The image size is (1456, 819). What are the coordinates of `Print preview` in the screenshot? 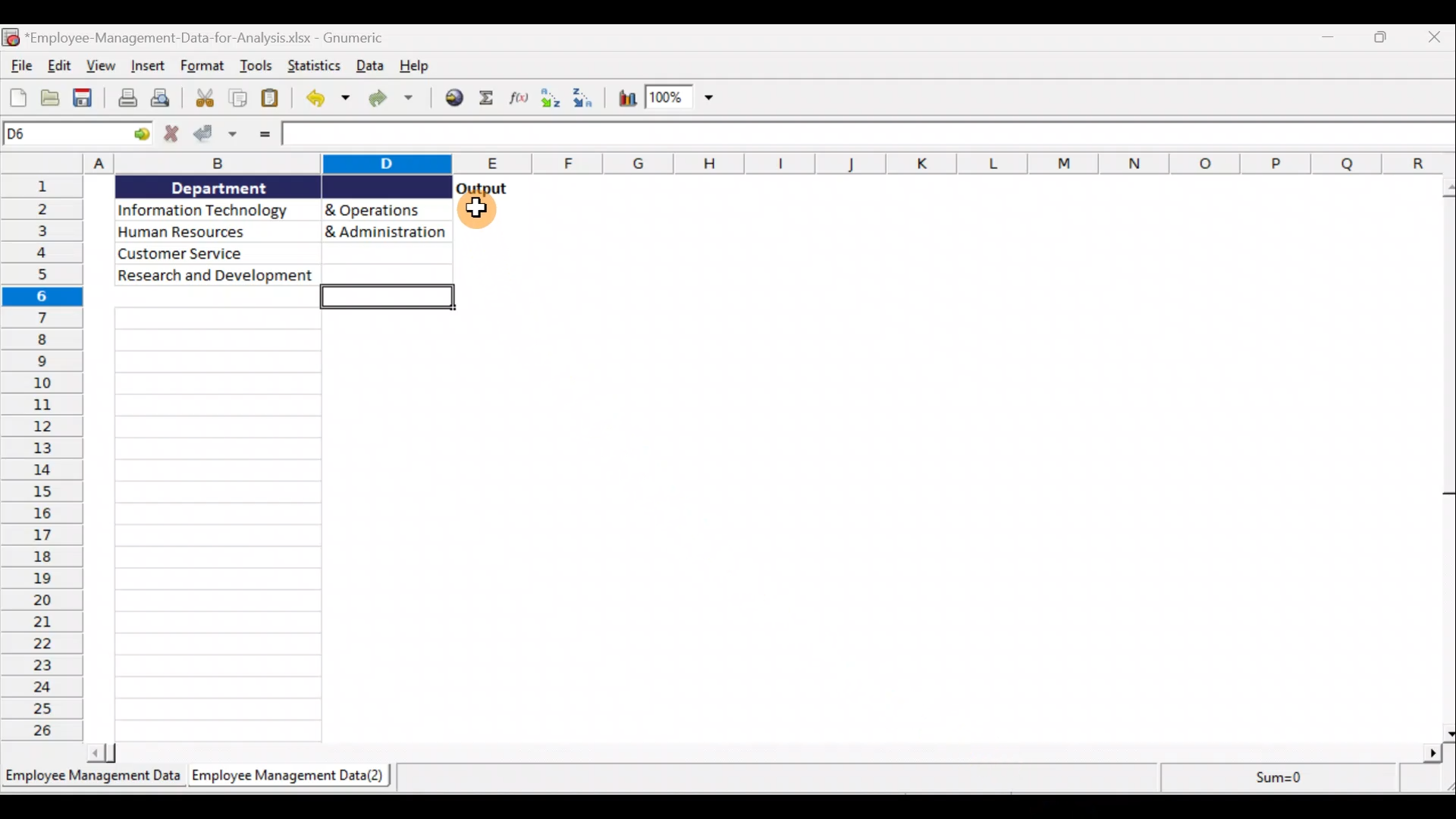 It's located at (168, 99).